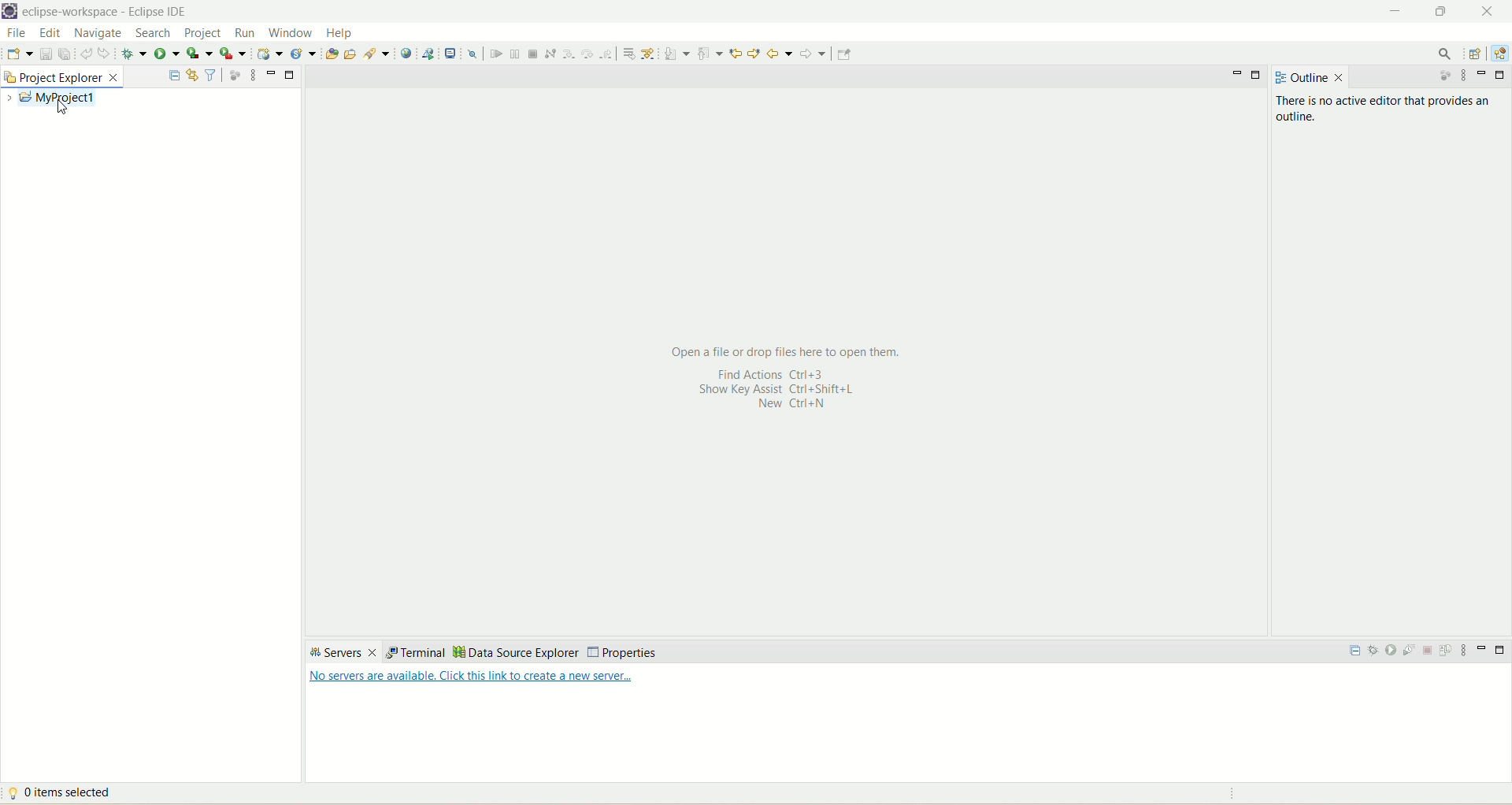 The width and height of the screenshot is (1512, 805). Describe the element at coordinates (56, 96) in the screenshot. I see `my project` at that location.